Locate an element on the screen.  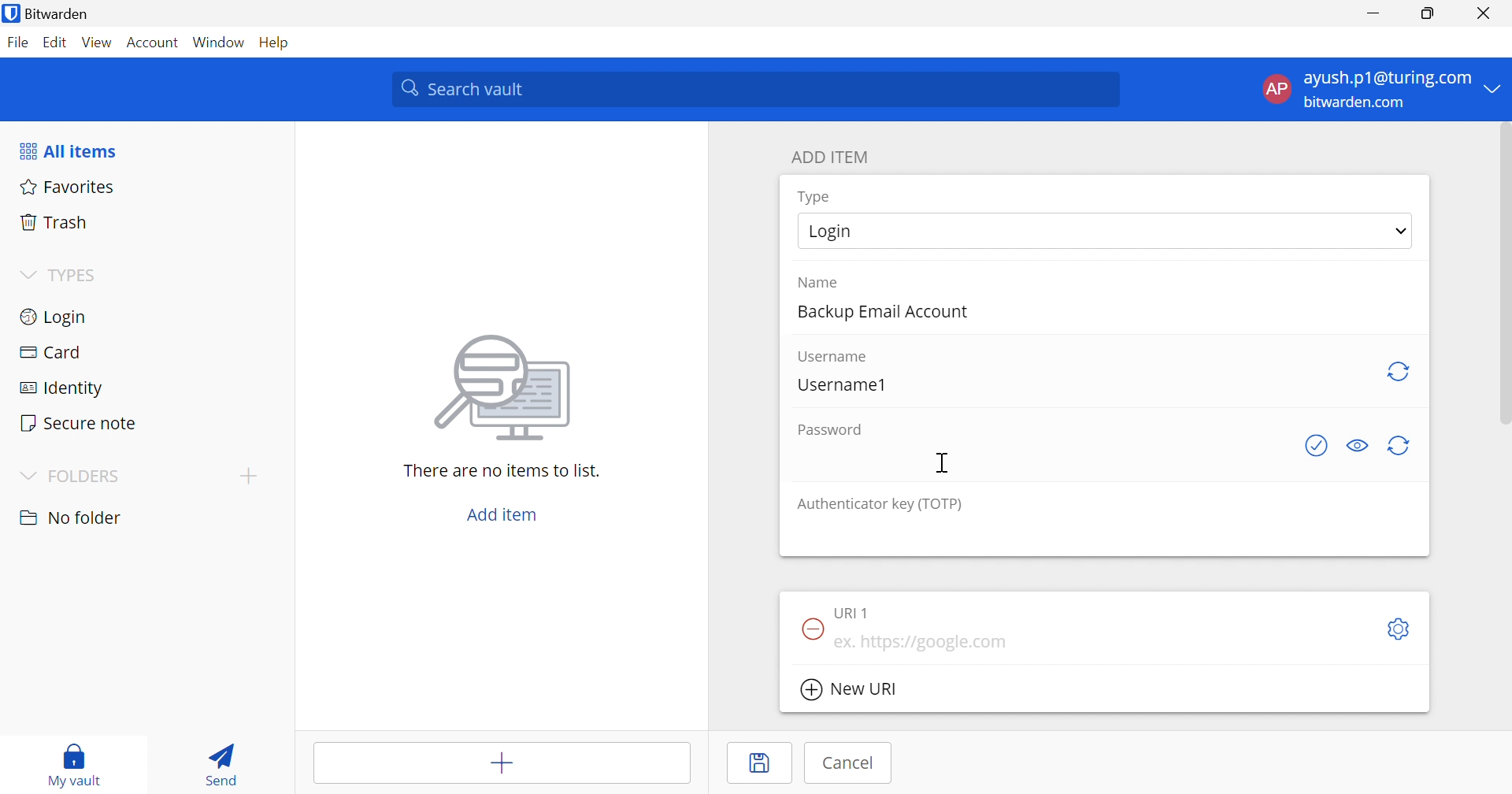
There are no items to list. is located at coordinates (502, 470).